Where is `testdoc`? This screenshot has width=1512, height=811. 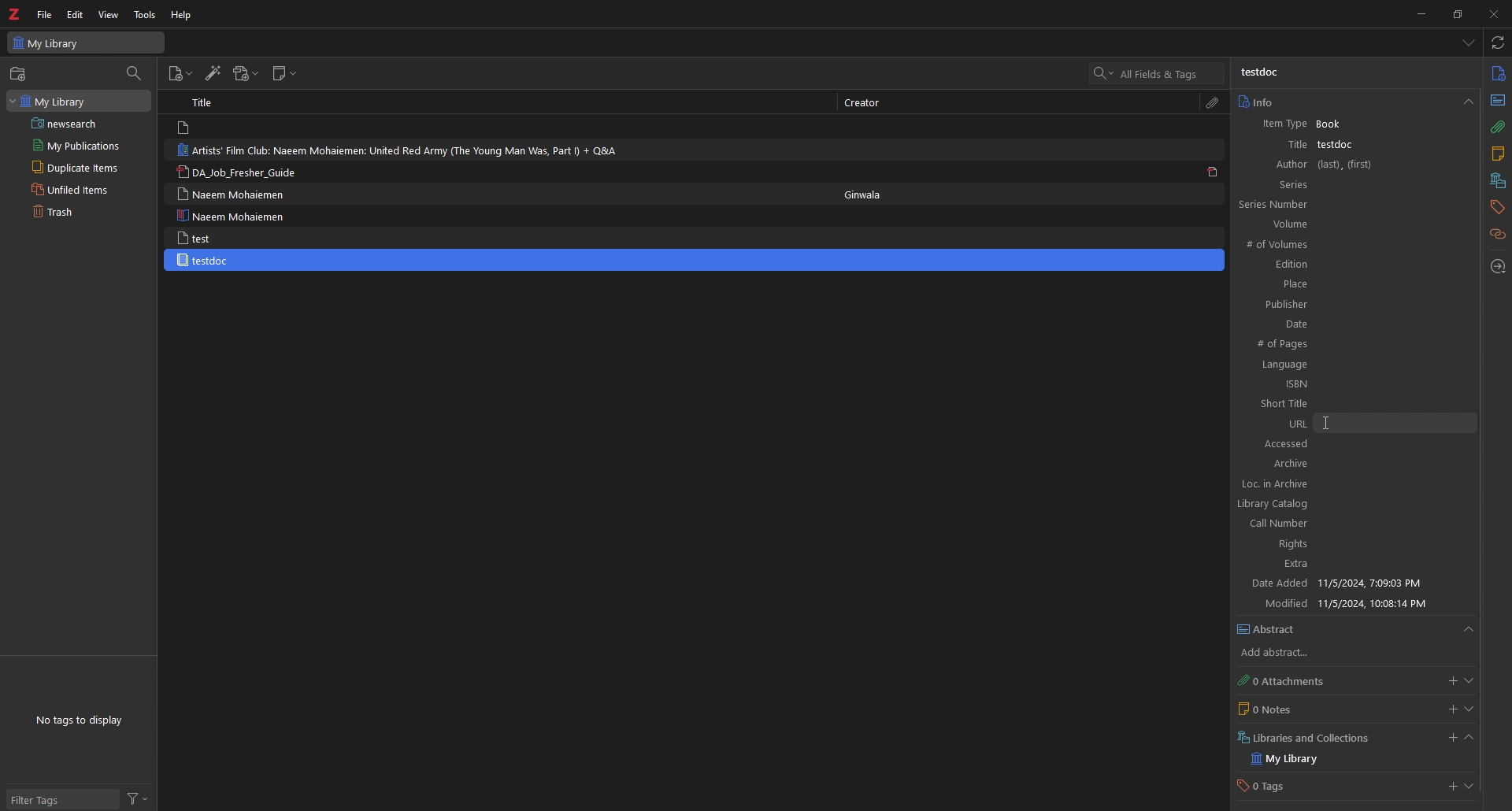 testdoc is located at coordinates (206, 260).